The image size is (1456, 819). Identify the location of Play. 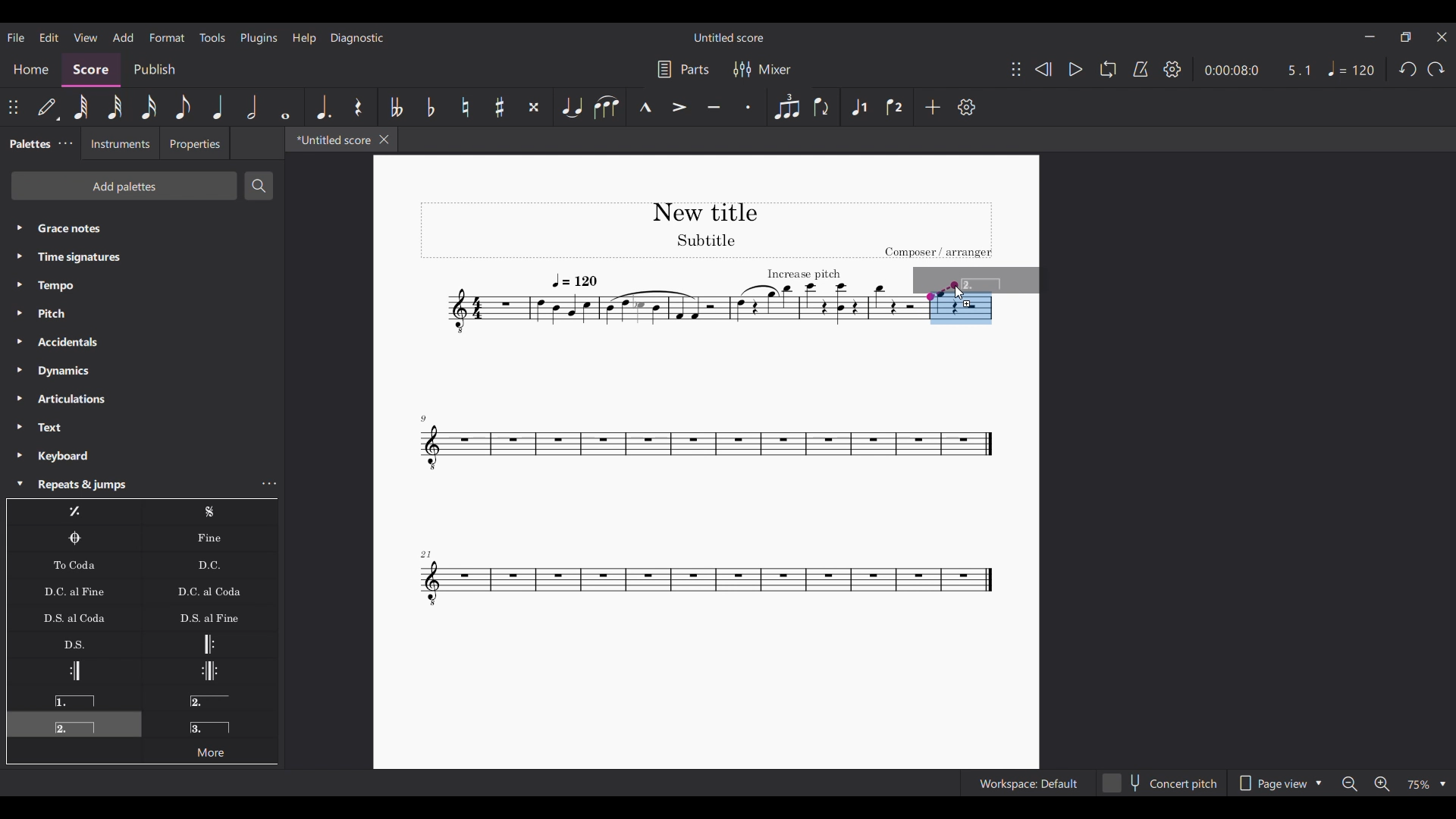
(1075, 70).